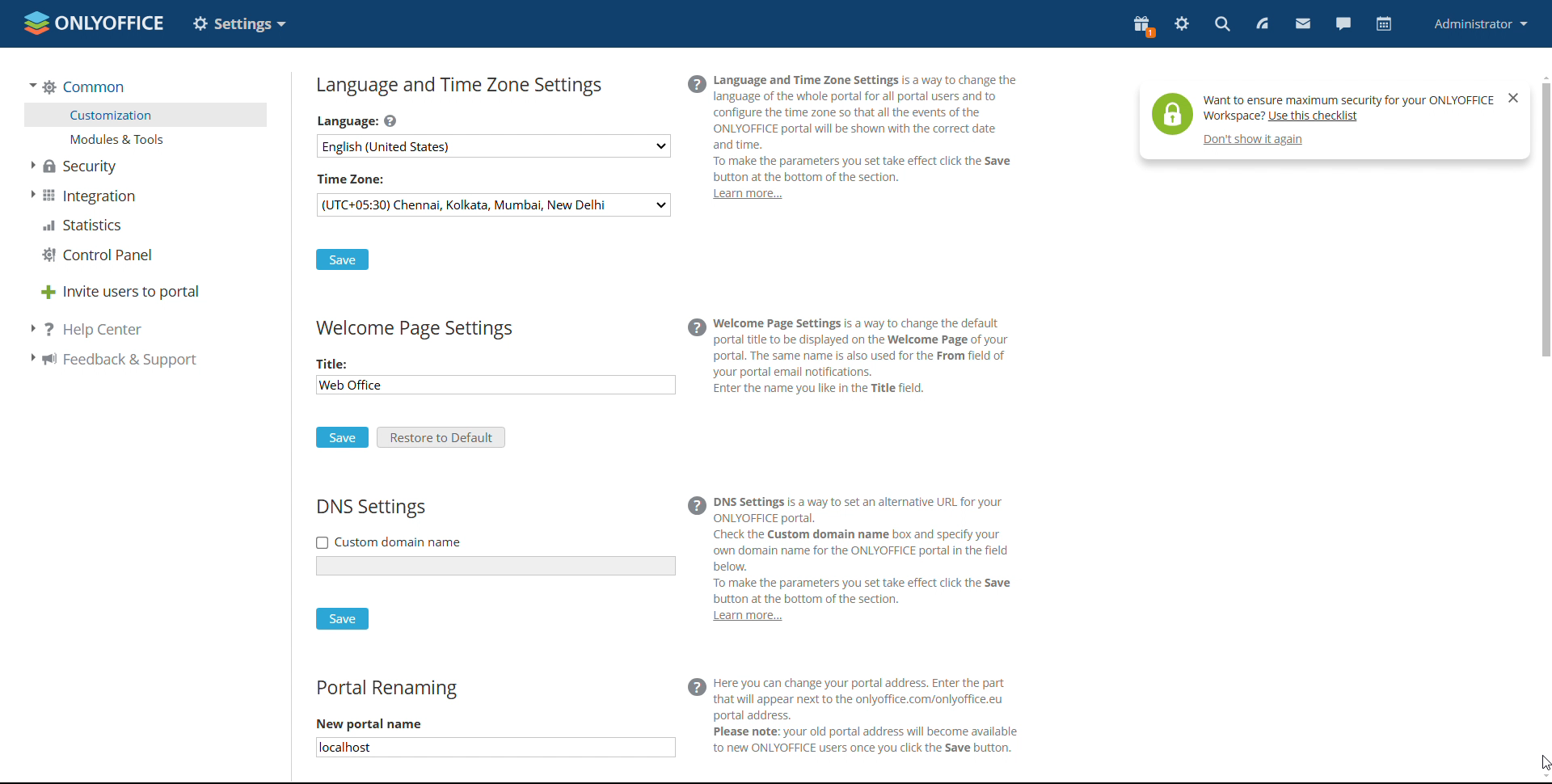  What do you see at coordinates (856, 356) in the screenshot?
I see `@ Welcome Page Settings is a way to change the default
portal ttle to be displayed on the Welcome Page of your
portal. The same name is also used for the From field of

oo your portal email notifications.
_ Enter the name you like in the Title field.` at bounding box center [856, 356].